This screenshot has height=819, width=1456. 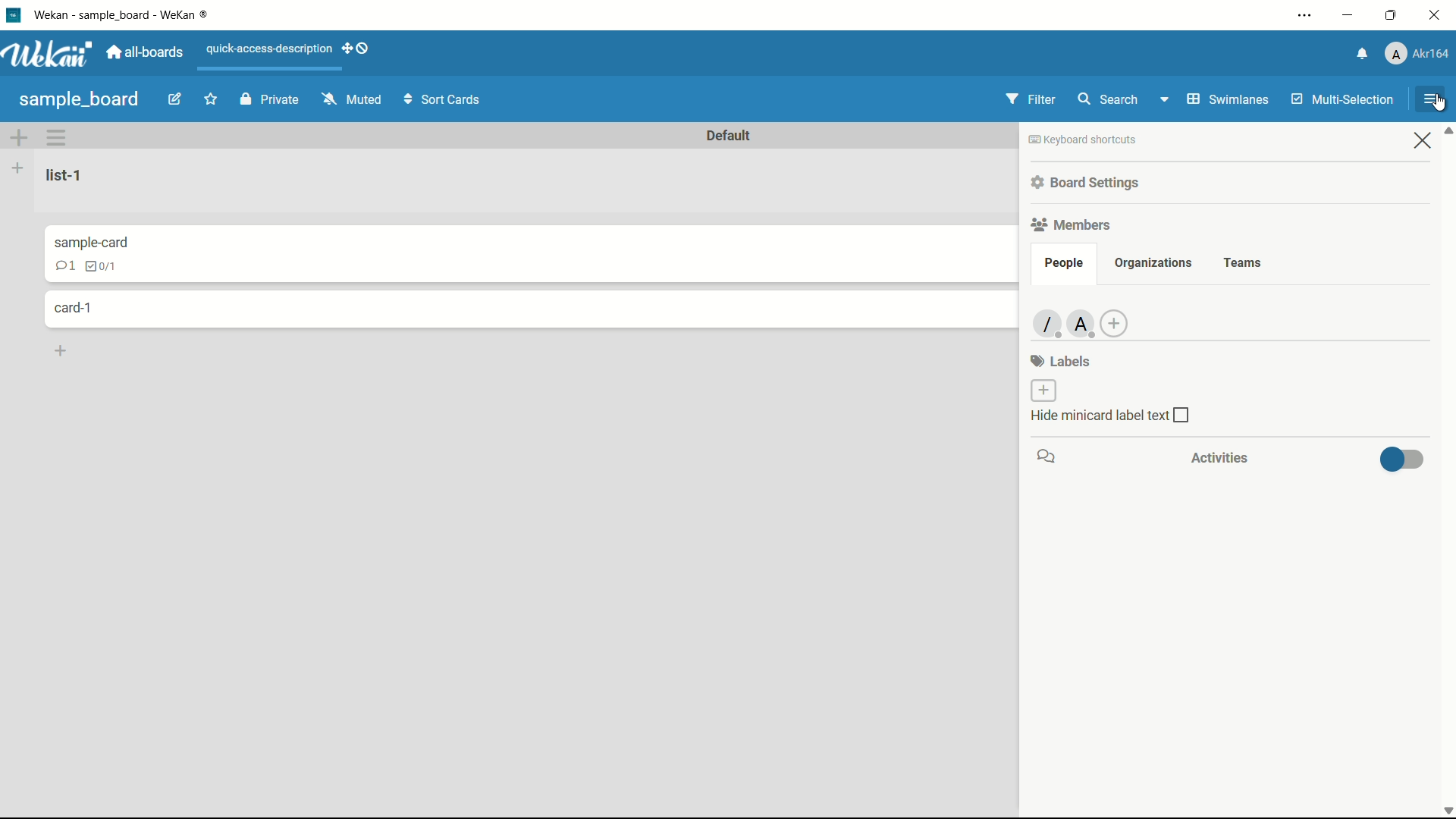 What do you see at coordinates (84, 265) in the screenshot?
I see `comments` at bounding box center [84, 265].